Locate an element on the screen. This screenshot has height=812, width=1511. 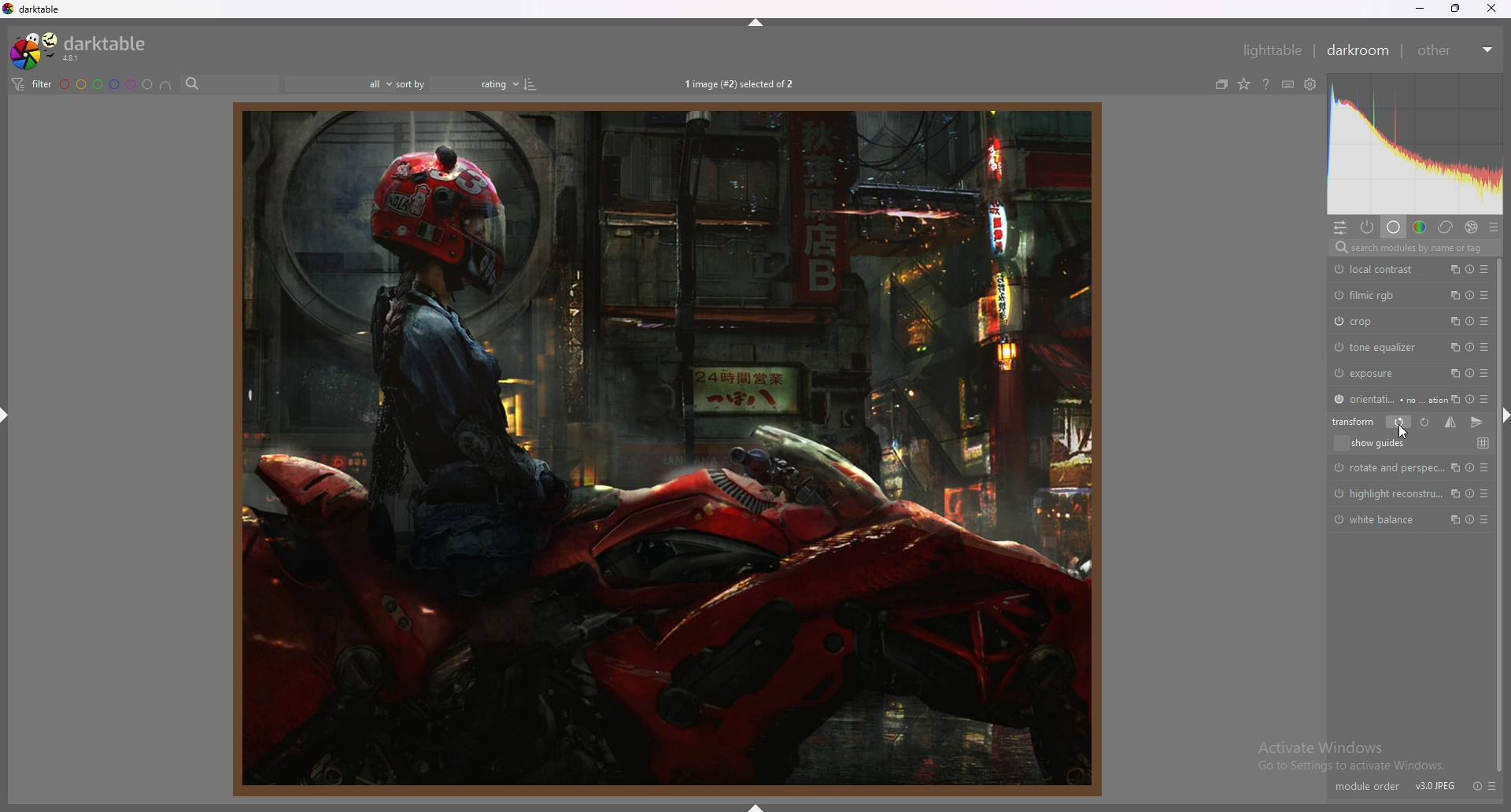
keyboard shortcuts is located at coordinates (1288, 84).